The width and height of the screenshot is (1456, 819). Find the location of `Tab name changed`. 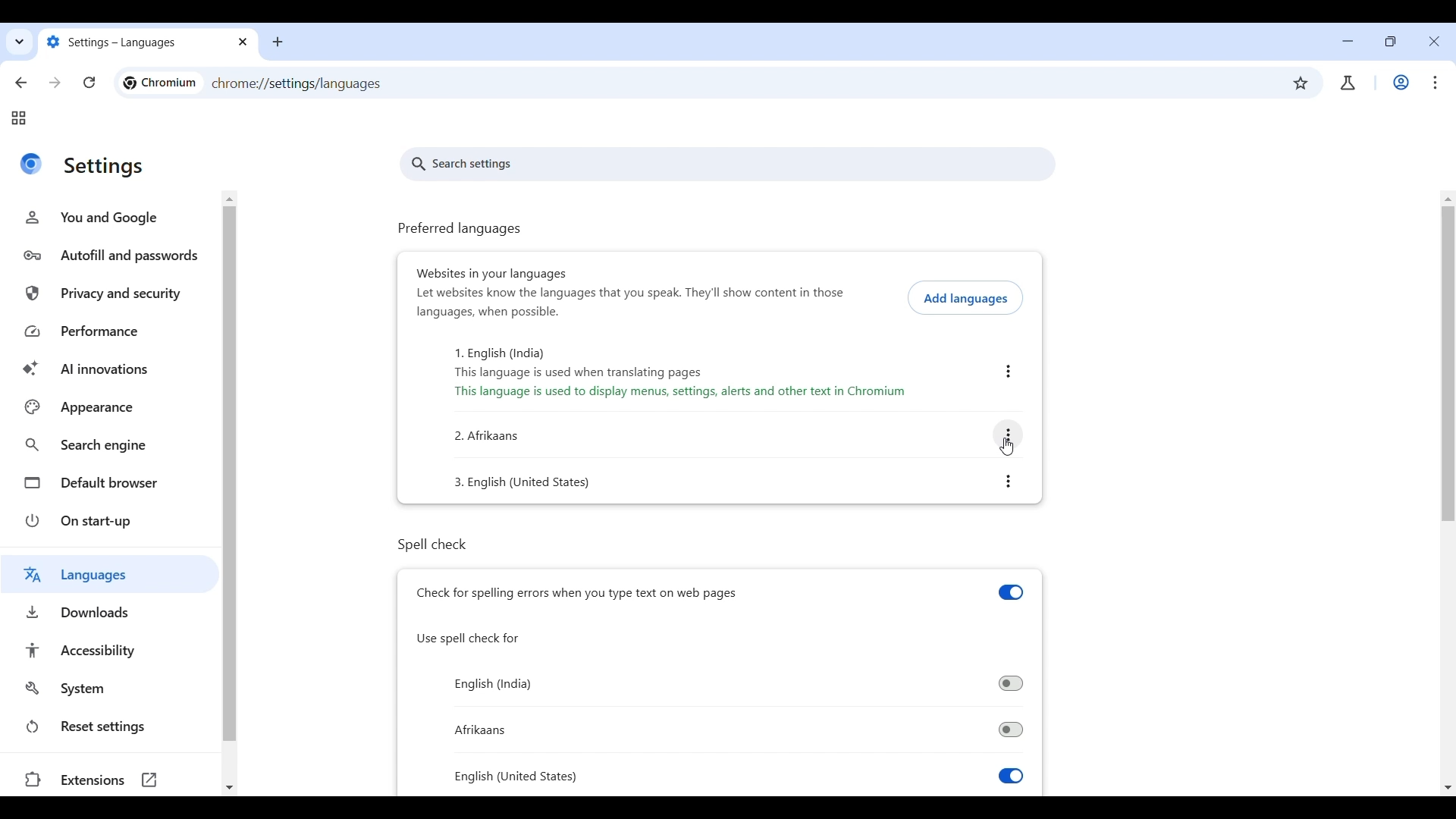

Tab name changed is located at coordinates (130, 42).